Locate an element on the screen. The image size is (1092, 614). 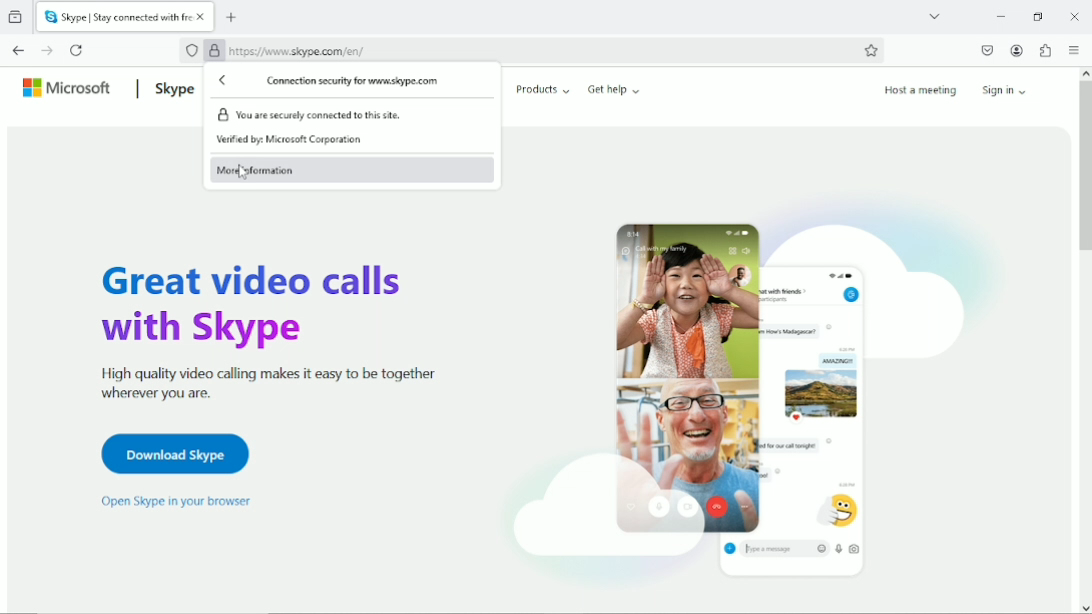
vertical scrollbar is located at coordinates (1085, 169).